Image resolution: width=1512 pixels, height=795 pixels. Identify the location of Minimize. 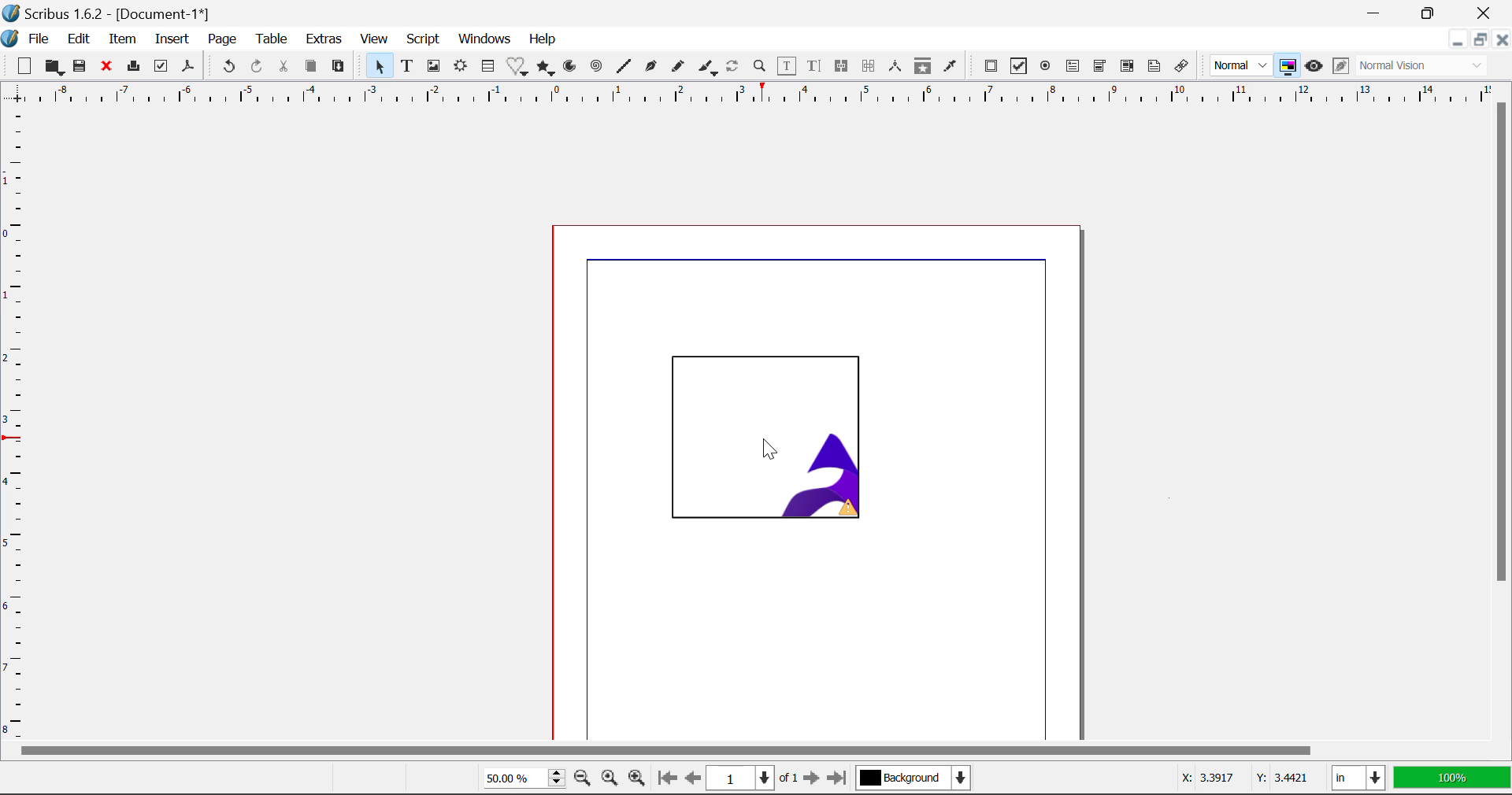
(1432, 13).